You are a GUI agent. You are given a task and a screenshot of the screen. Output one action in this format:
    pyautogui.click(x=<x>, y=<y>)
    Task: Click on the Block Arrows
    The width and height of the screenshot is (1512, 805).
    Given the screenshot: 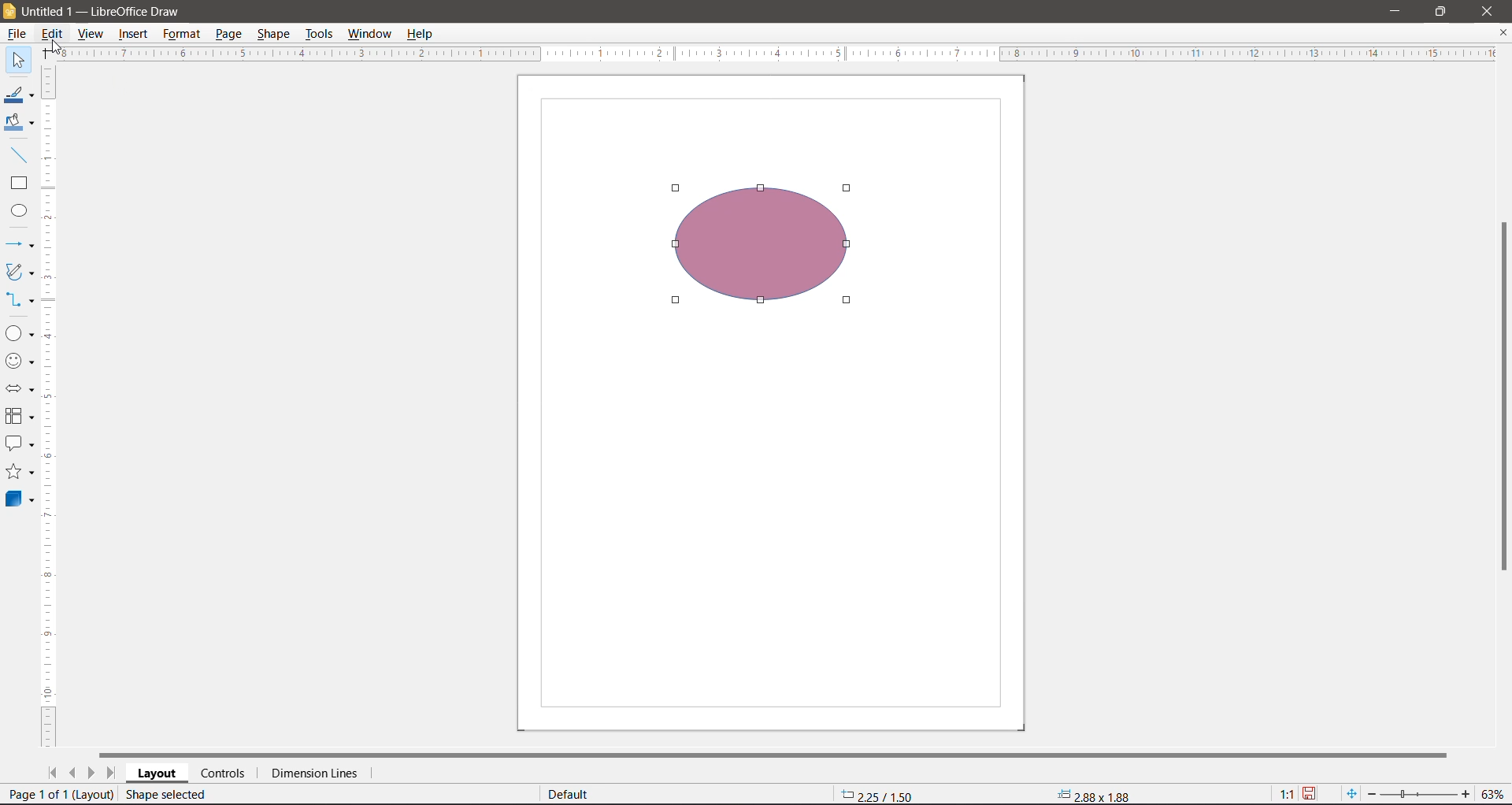 What is the action you would take?
    pyautogui.click(x=20, y=389)
    